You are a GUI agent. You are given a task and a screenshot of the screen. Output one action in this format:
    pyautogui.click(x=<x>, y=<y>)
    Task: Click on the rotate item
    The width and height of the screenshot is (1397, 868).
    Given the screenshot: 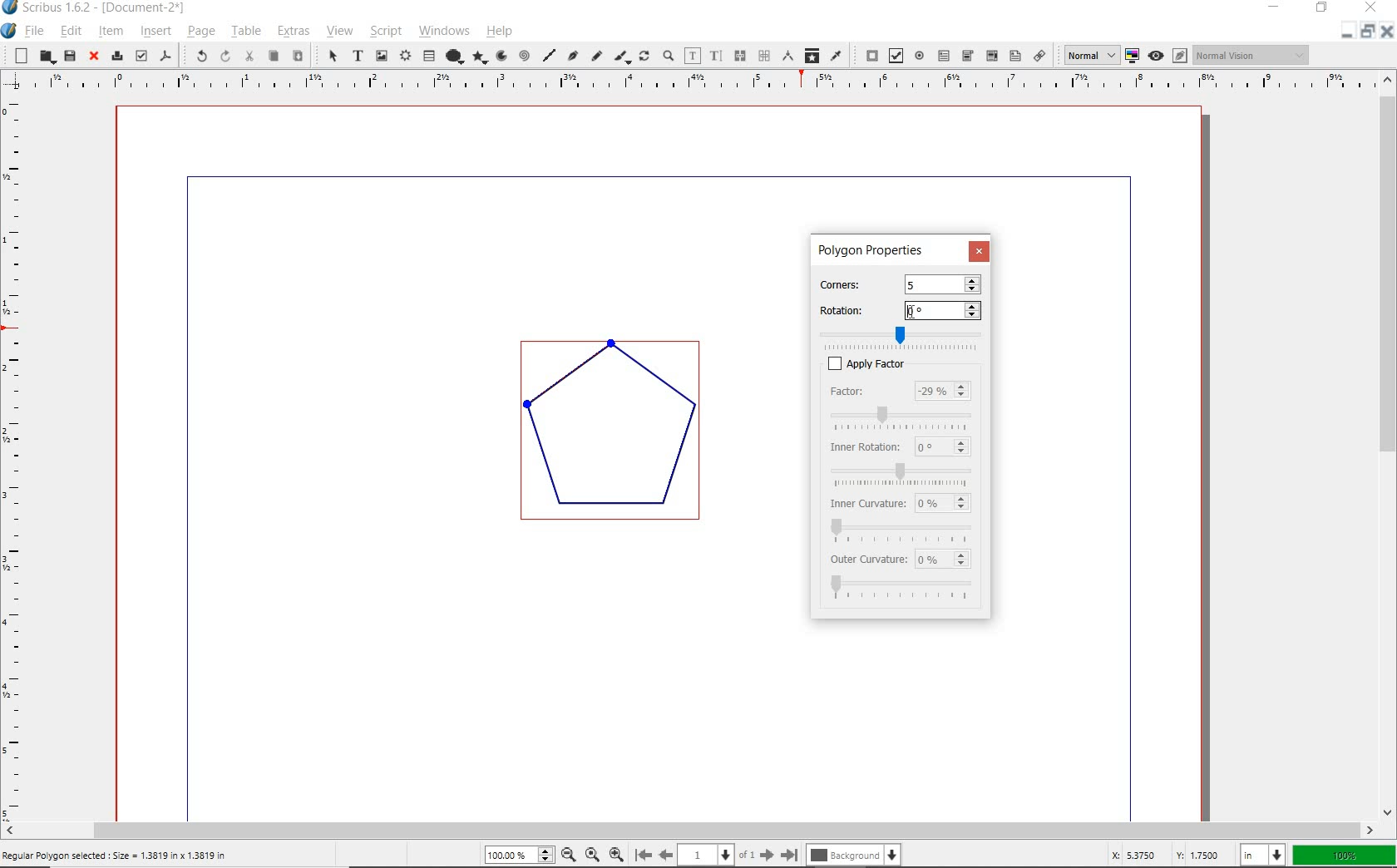 What is the action you would take?
    pyautogui.click(x=645, y=57)
    